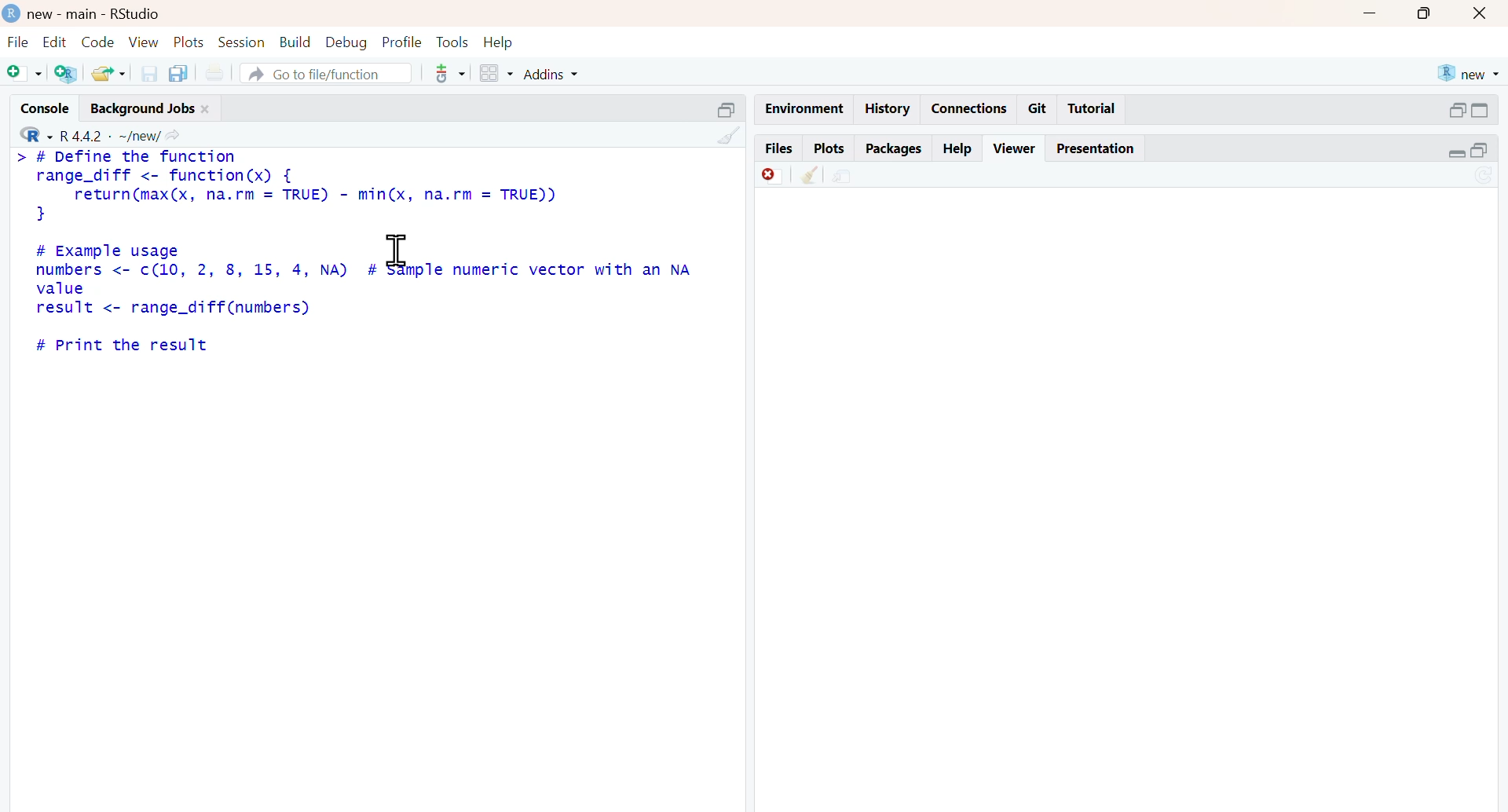  What do you see at coordinates (243, 43) in the screenshot?
I see `session` at bounding box center [243, 43].